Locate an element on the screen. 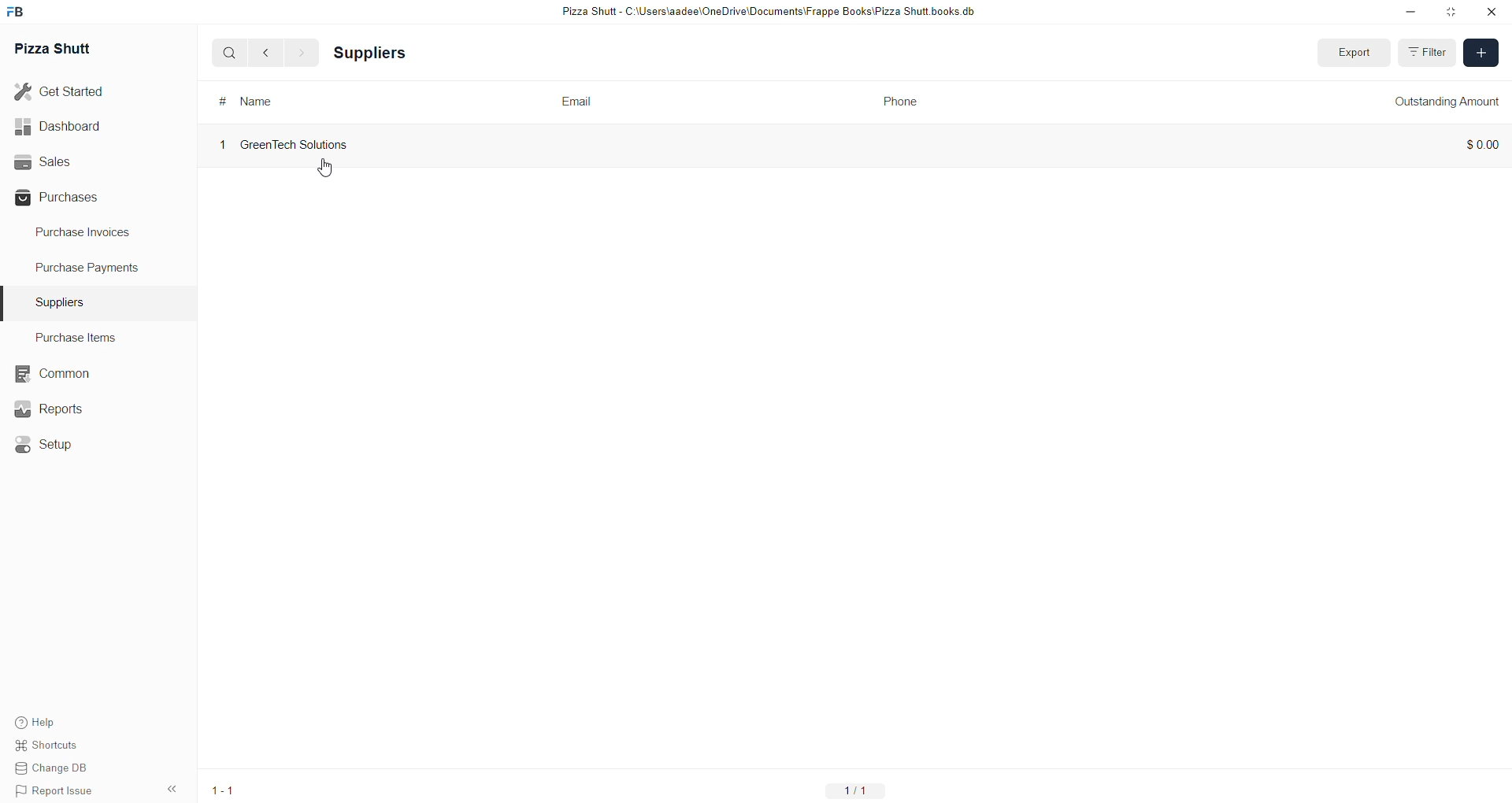 This screenshot has width=1512, height=803. ‘Common is located at coordinates (51, 372).